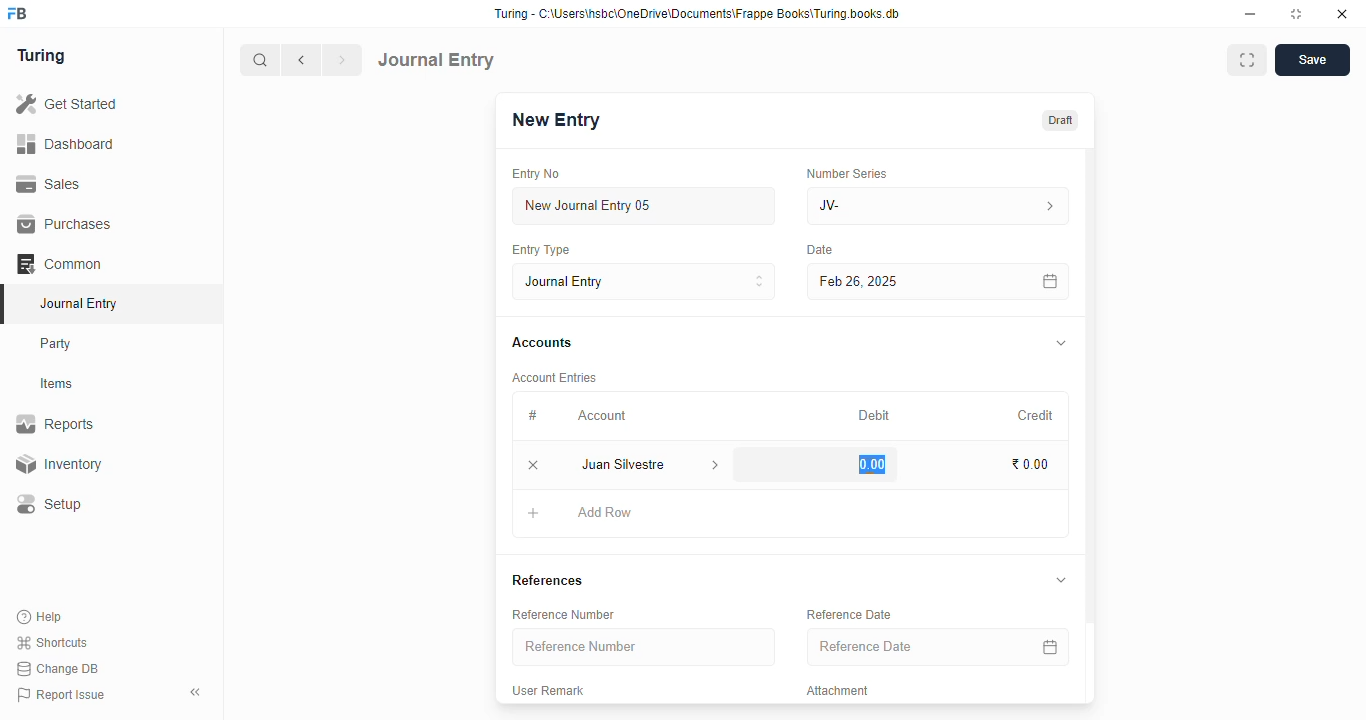 The image size is (1366, 720). I want to click on purchases, so click(64, 224).